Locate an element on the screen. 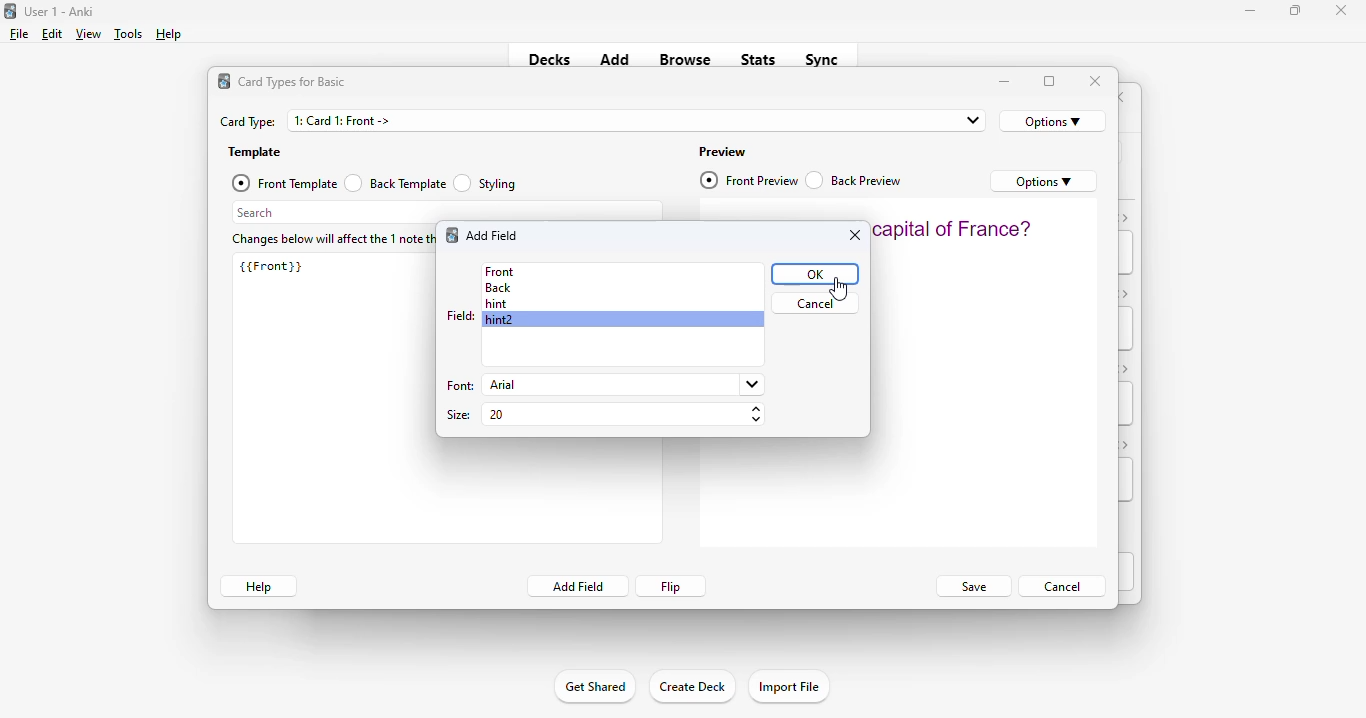  preview is located at coordinates (723, 152).